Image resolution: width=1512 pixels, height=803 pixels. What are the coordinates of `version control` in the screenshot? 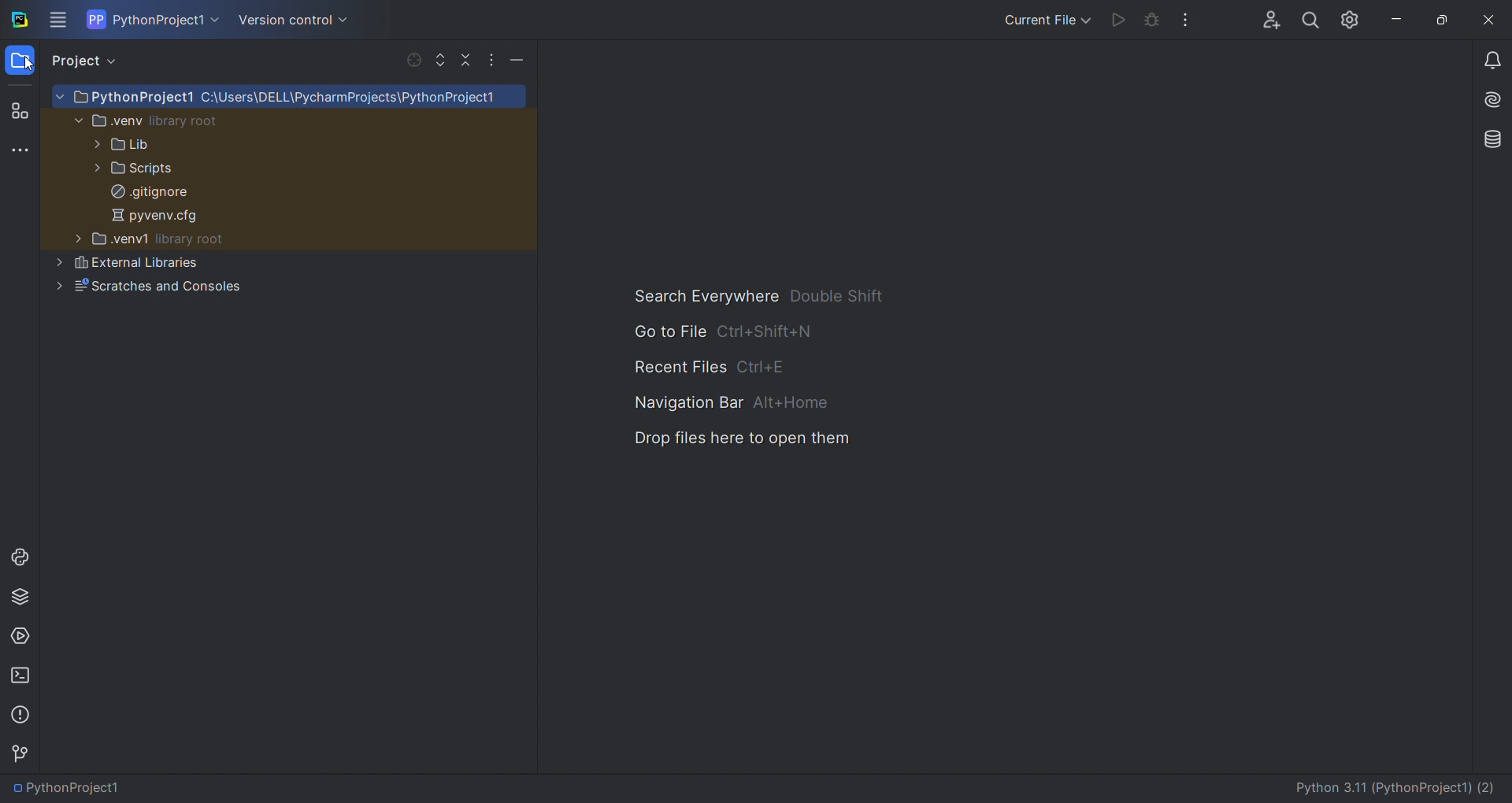 It's located at (23, 751).